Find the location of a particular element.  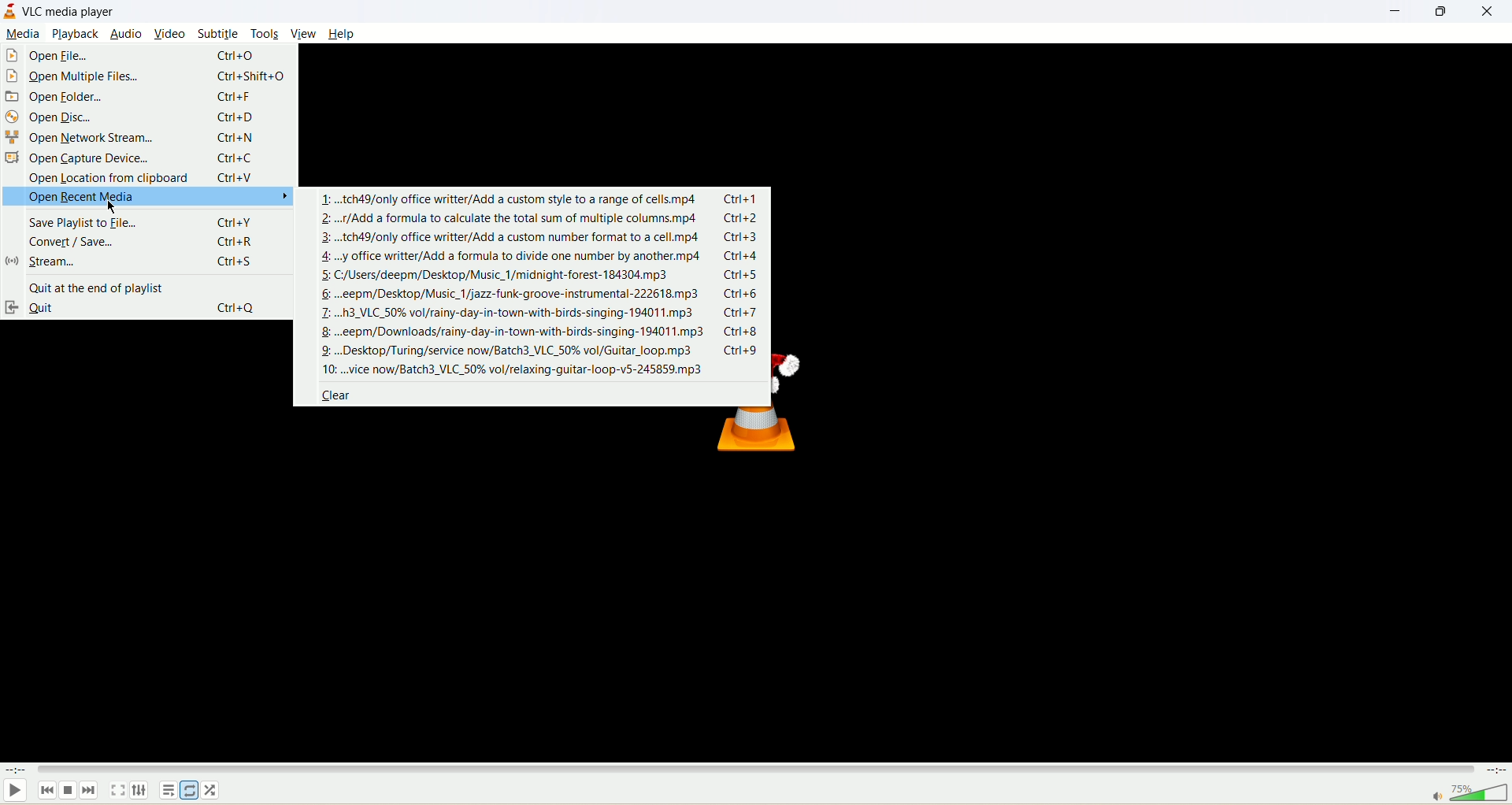

ctrl+4 is located at coordinates (747, 256).